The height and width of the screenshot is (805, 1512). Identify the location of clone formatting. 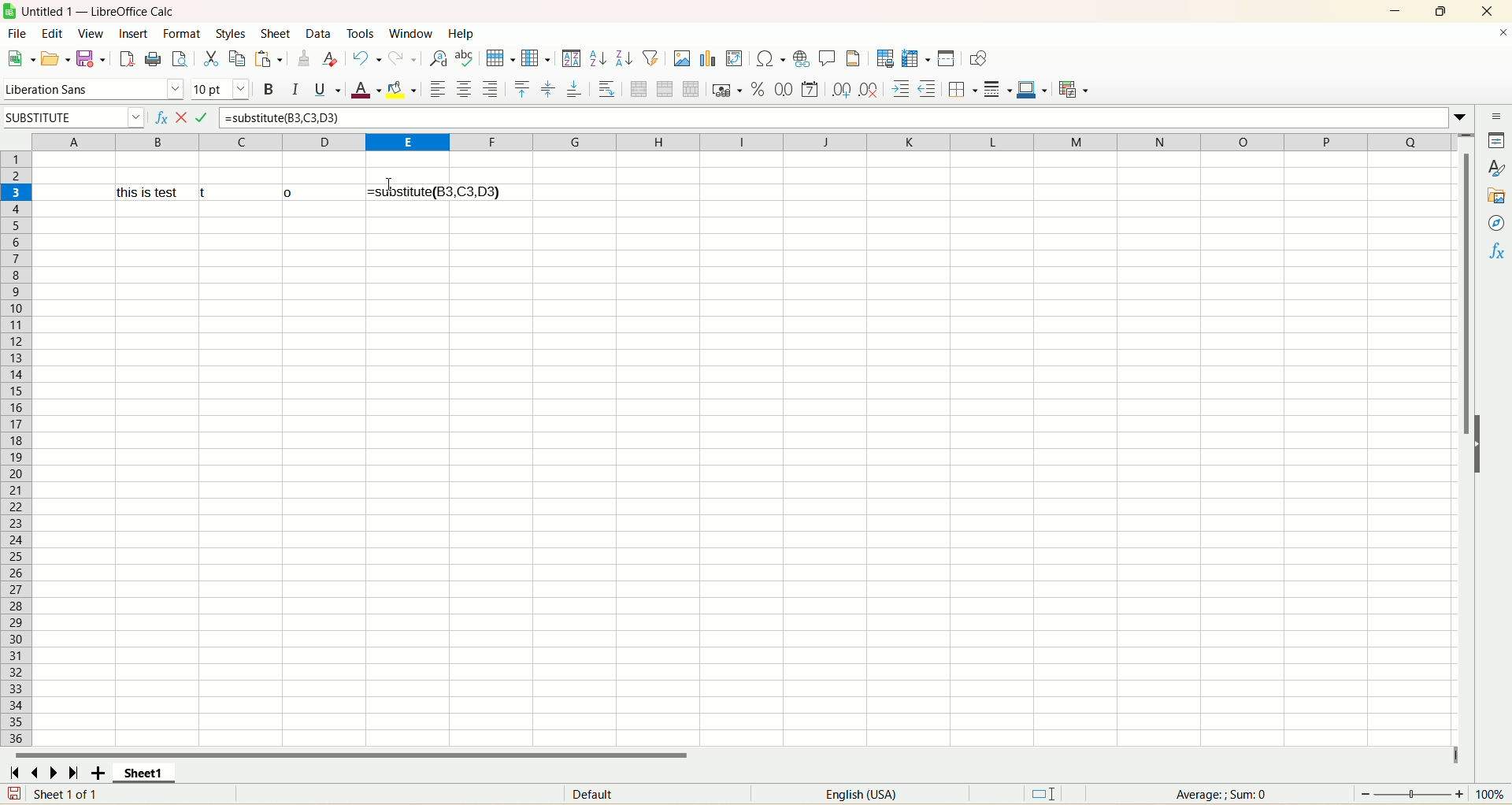
(302, 57).